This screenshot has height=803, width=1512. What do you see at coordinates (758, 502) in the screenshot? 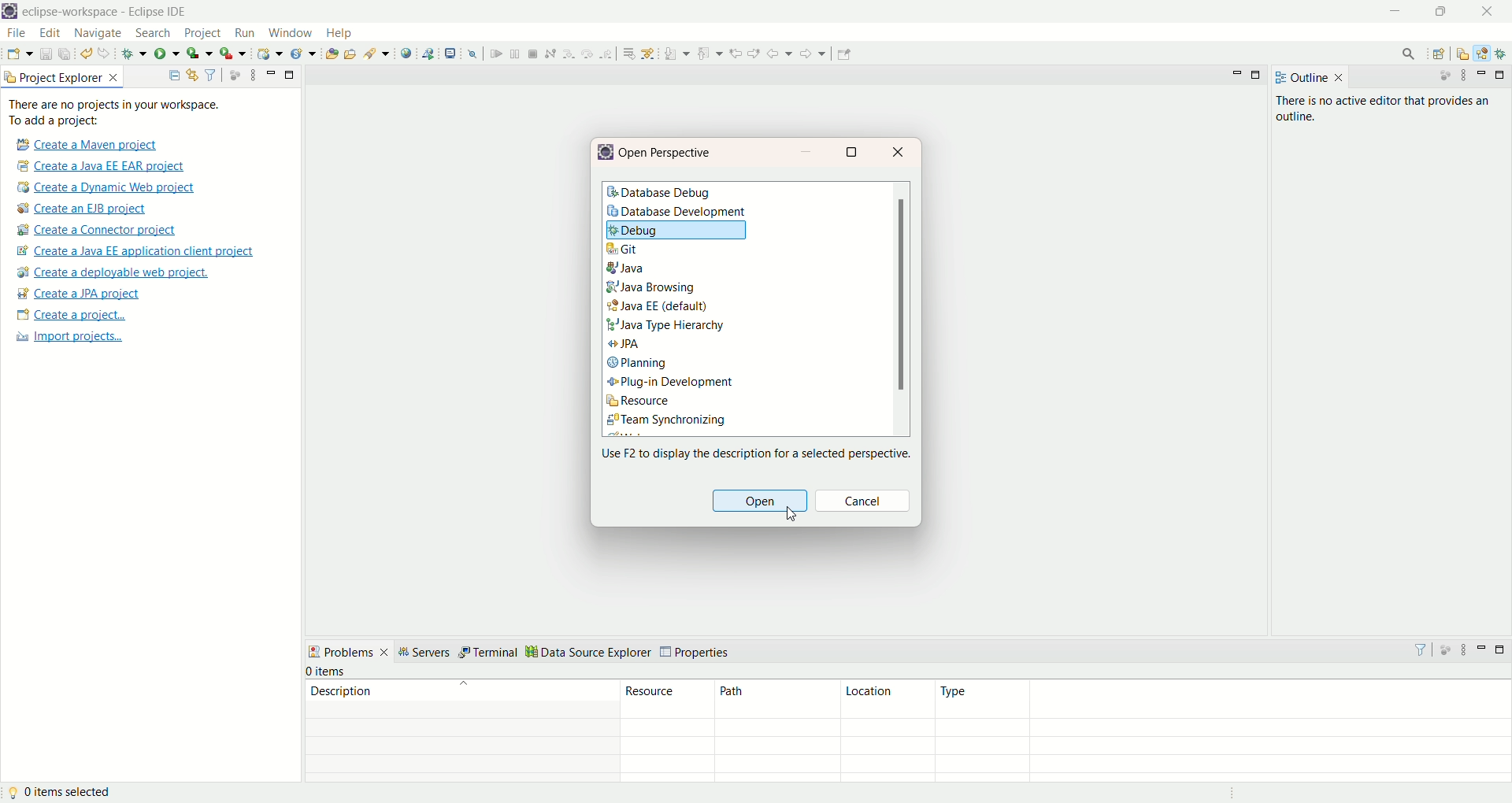
I see `open` at bounding box center [758, 502].